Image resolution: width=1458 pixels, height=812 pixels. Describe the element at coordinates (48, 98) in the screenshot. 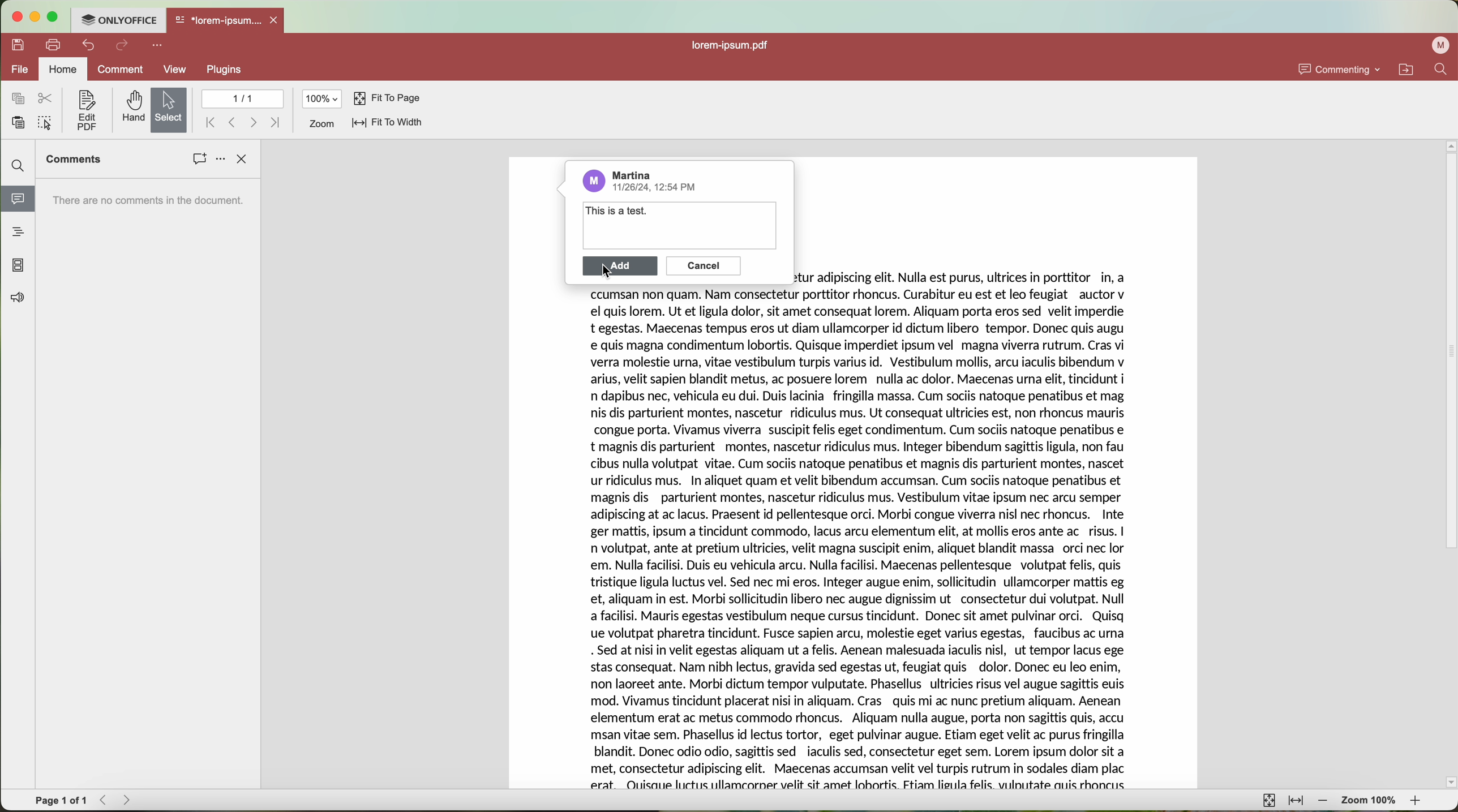

I see `cut` at that location.